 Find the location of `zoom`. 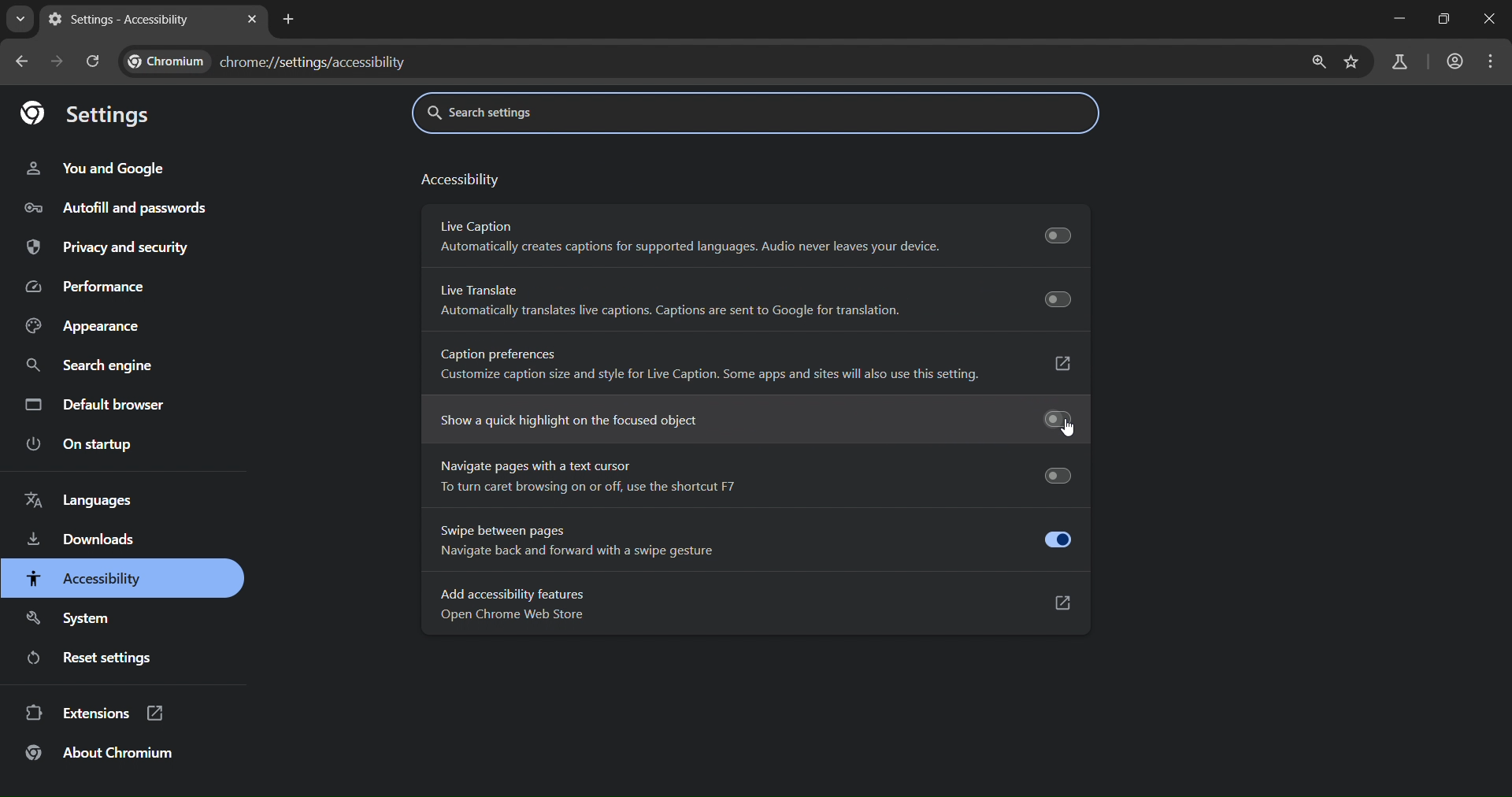

zoom is located at coordinates (1317, 63).